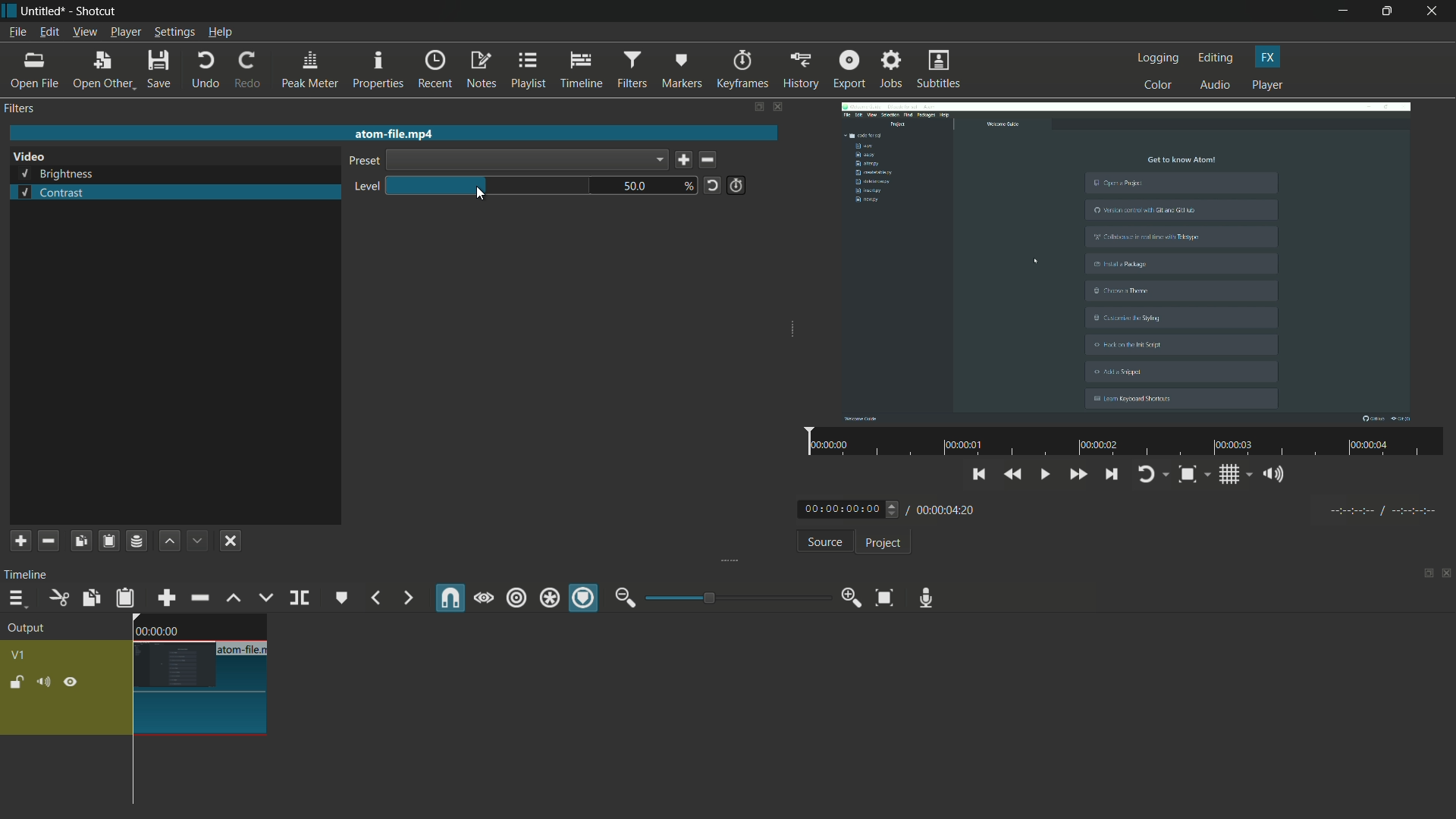  I want to click on zoom in, so click(848, 598).